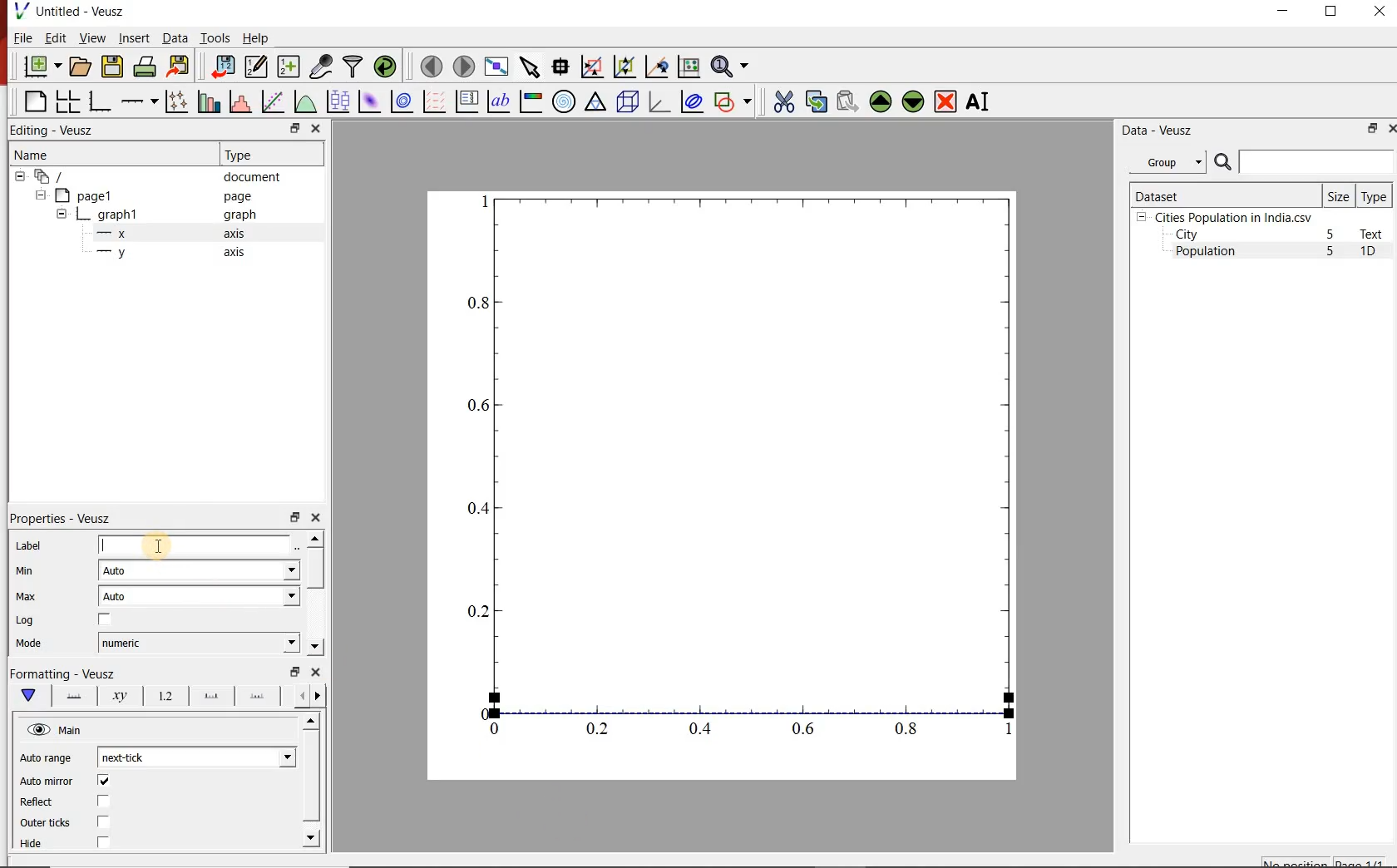 The height and width of the screenshot is (868, 1397). I want to click on paste widget from the clipboard, so click(847, 101).